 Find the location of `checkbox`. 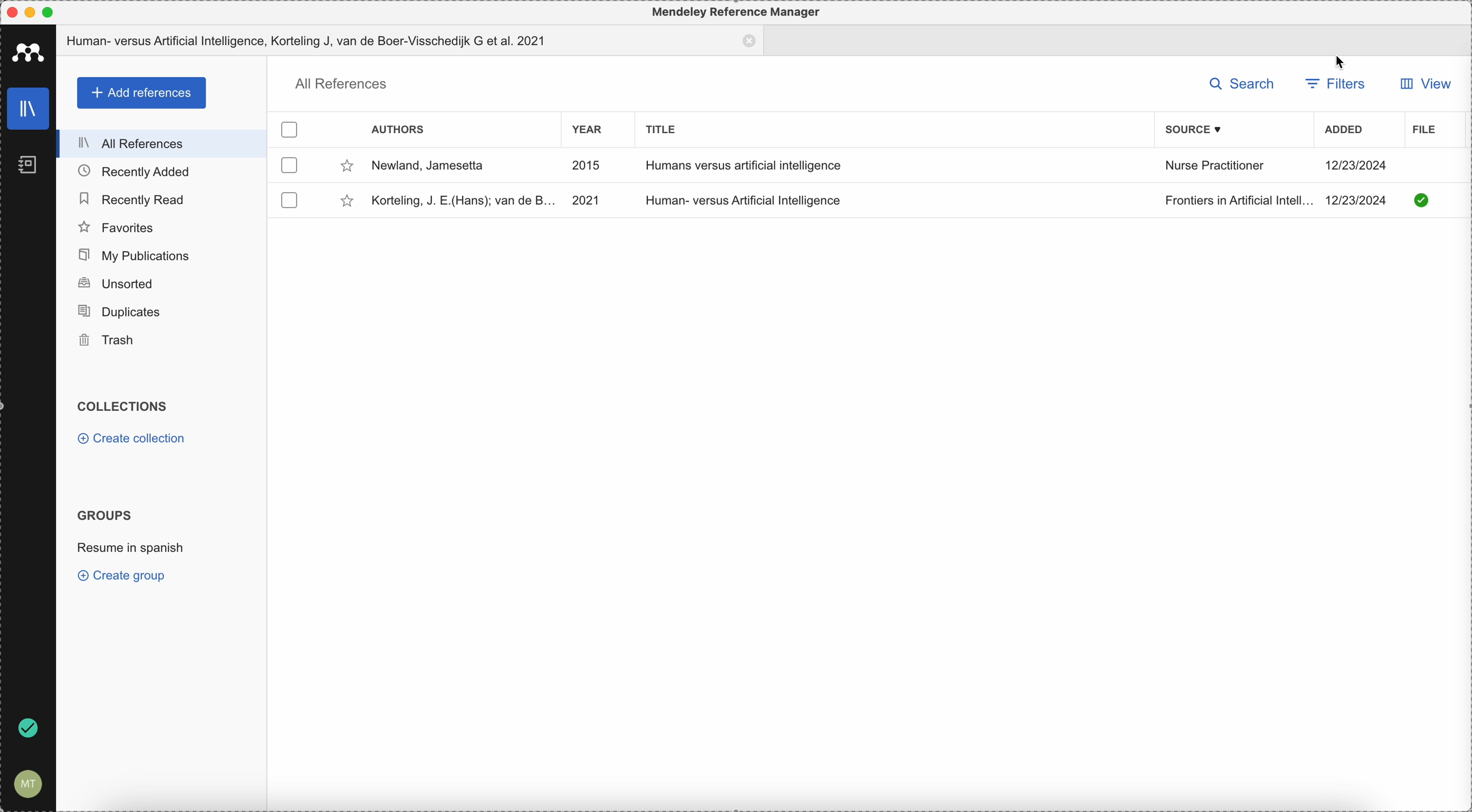

checkbox is located at coordinates (291, 127).